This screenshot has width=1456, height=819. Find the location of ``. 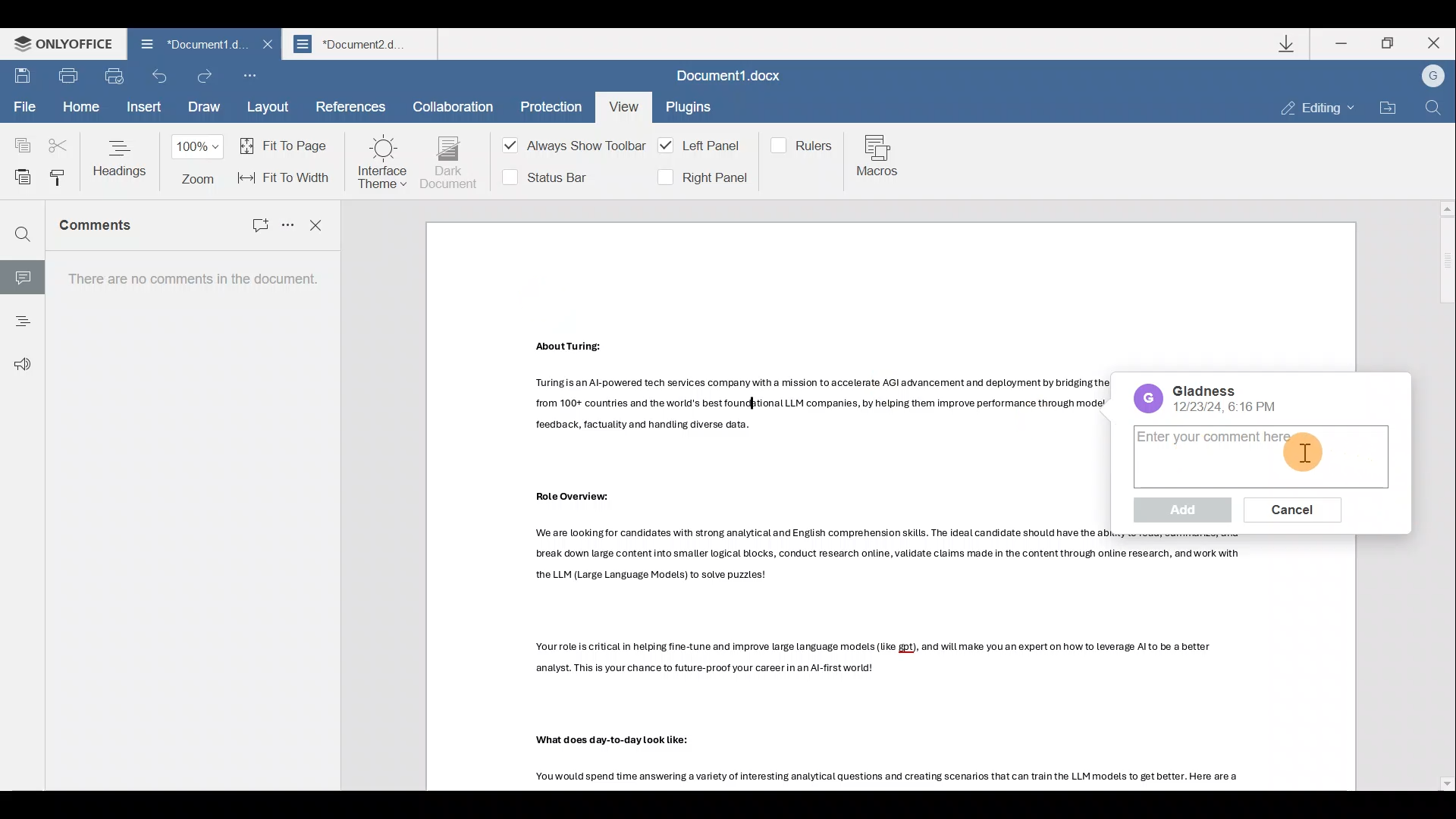

 is located at coordinates (886, 555).